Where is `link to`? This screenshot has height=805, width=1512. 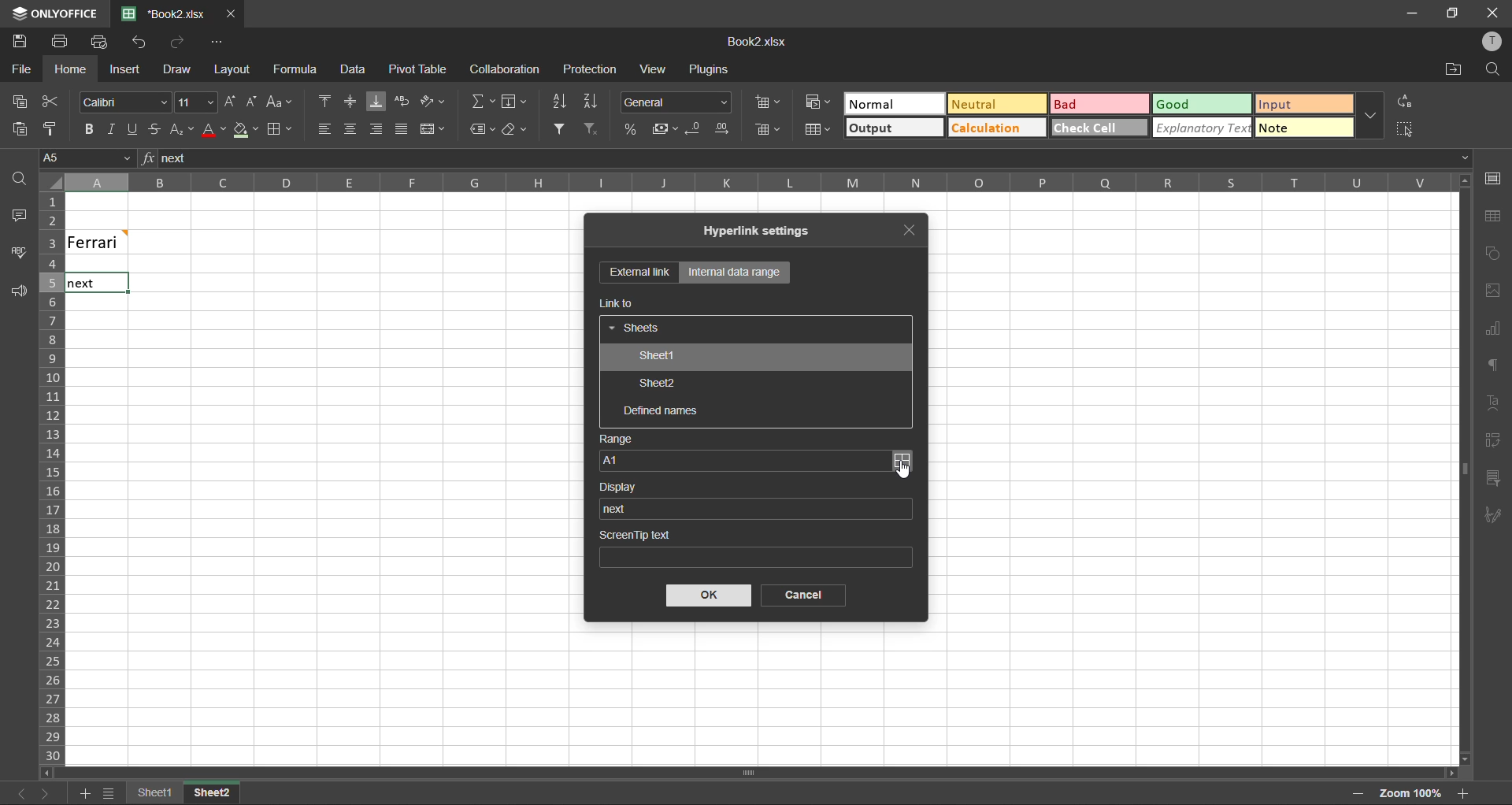
link to is located at coordinates (618, 303).